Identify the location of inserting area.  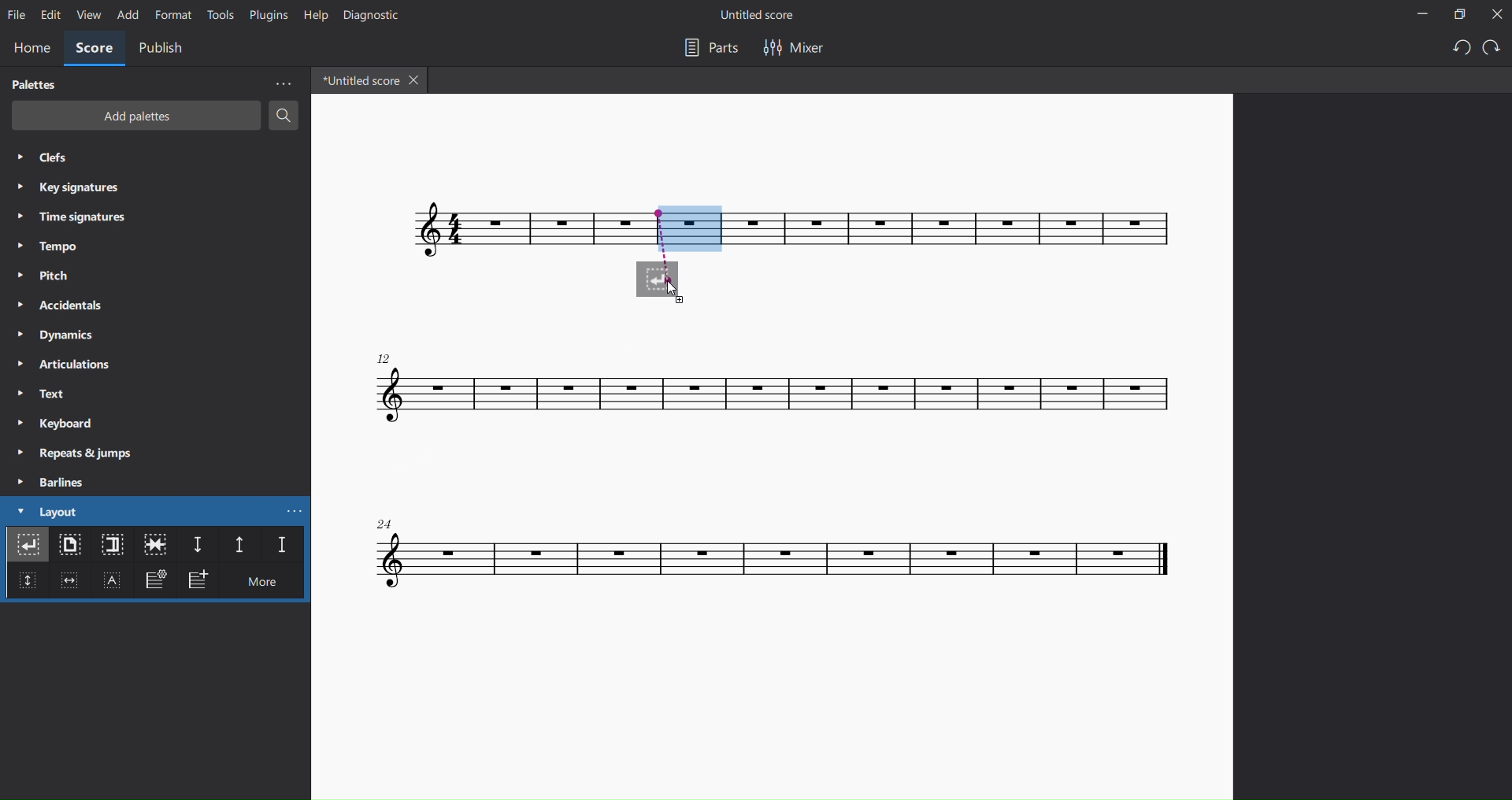
(673, 254).